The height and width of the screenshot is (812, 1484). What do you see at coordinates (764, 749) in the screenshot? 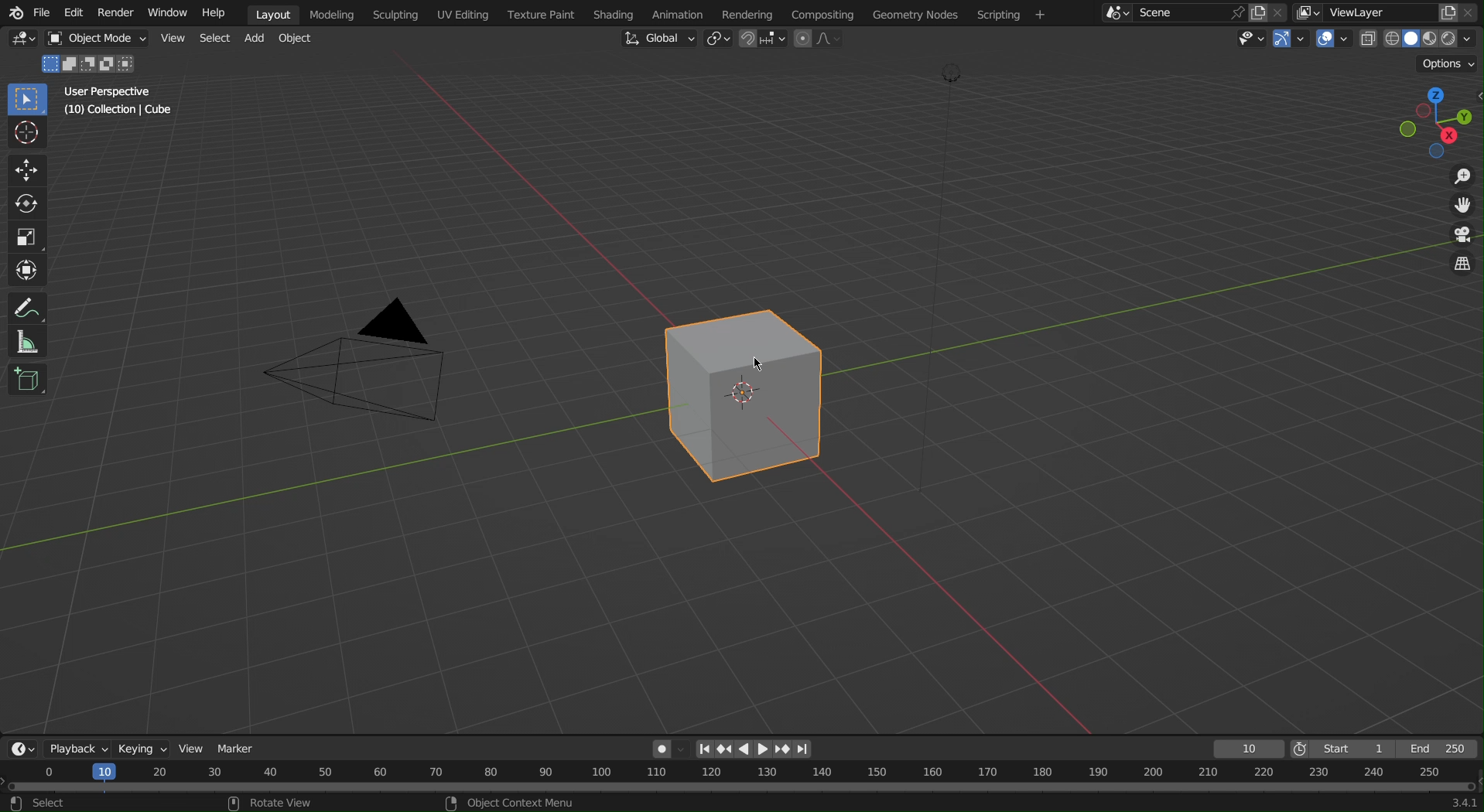
I see `right` at bounding box center [764, 749].